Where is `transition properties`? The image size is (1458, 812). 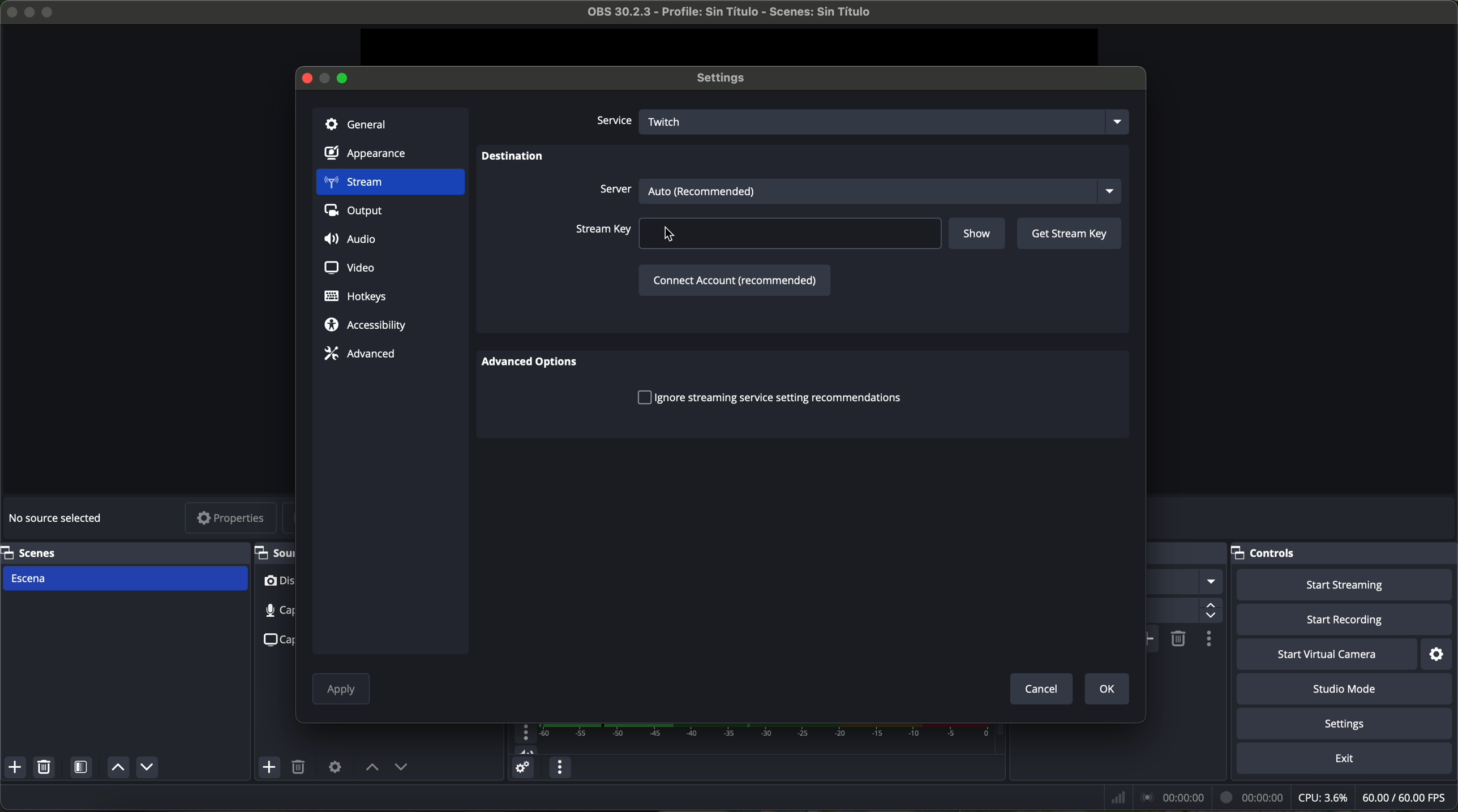
transition properties is located at coordinates (1208, 641).